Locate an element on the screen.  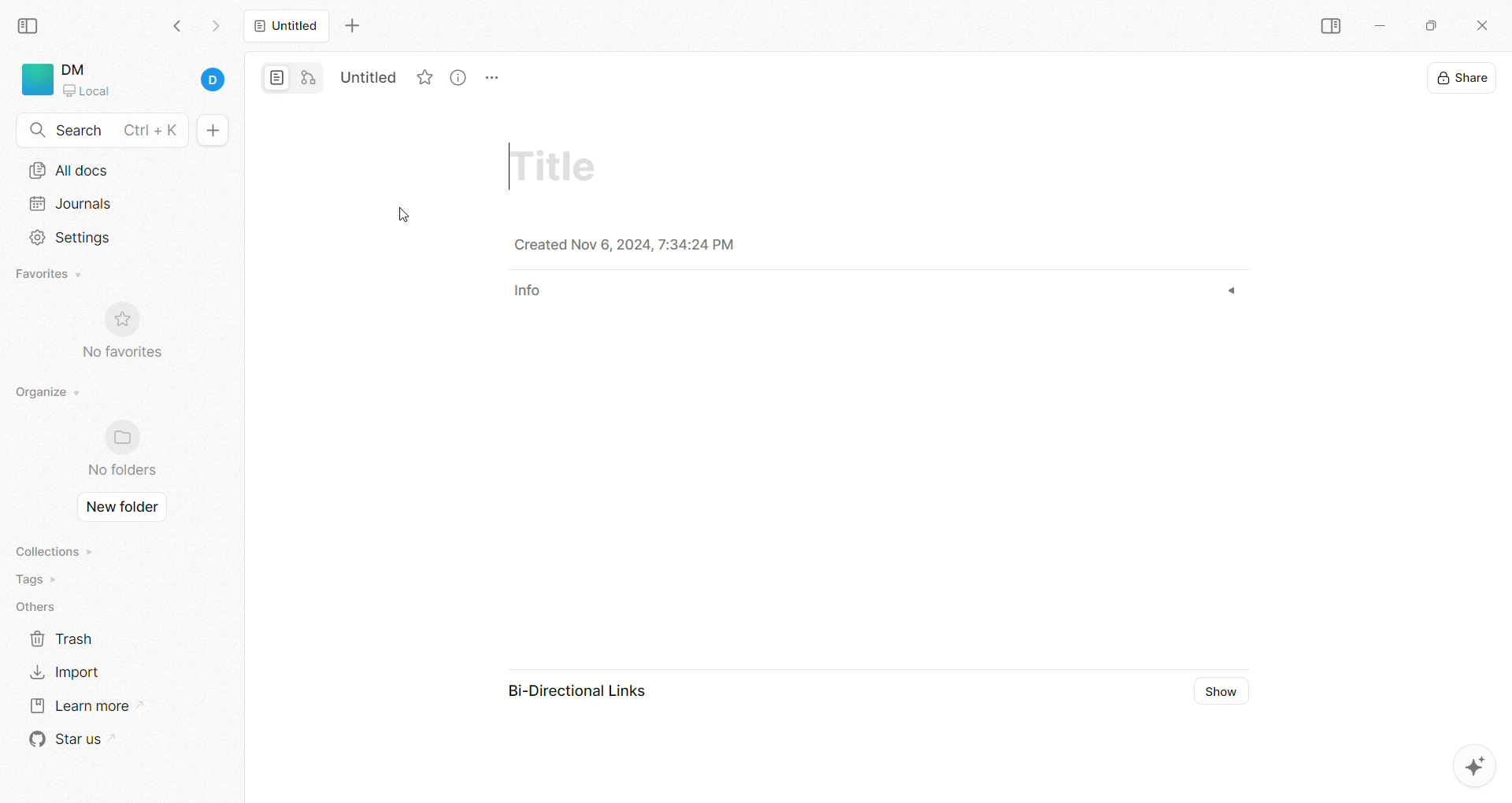
account details is located at coordinates (147, 81).